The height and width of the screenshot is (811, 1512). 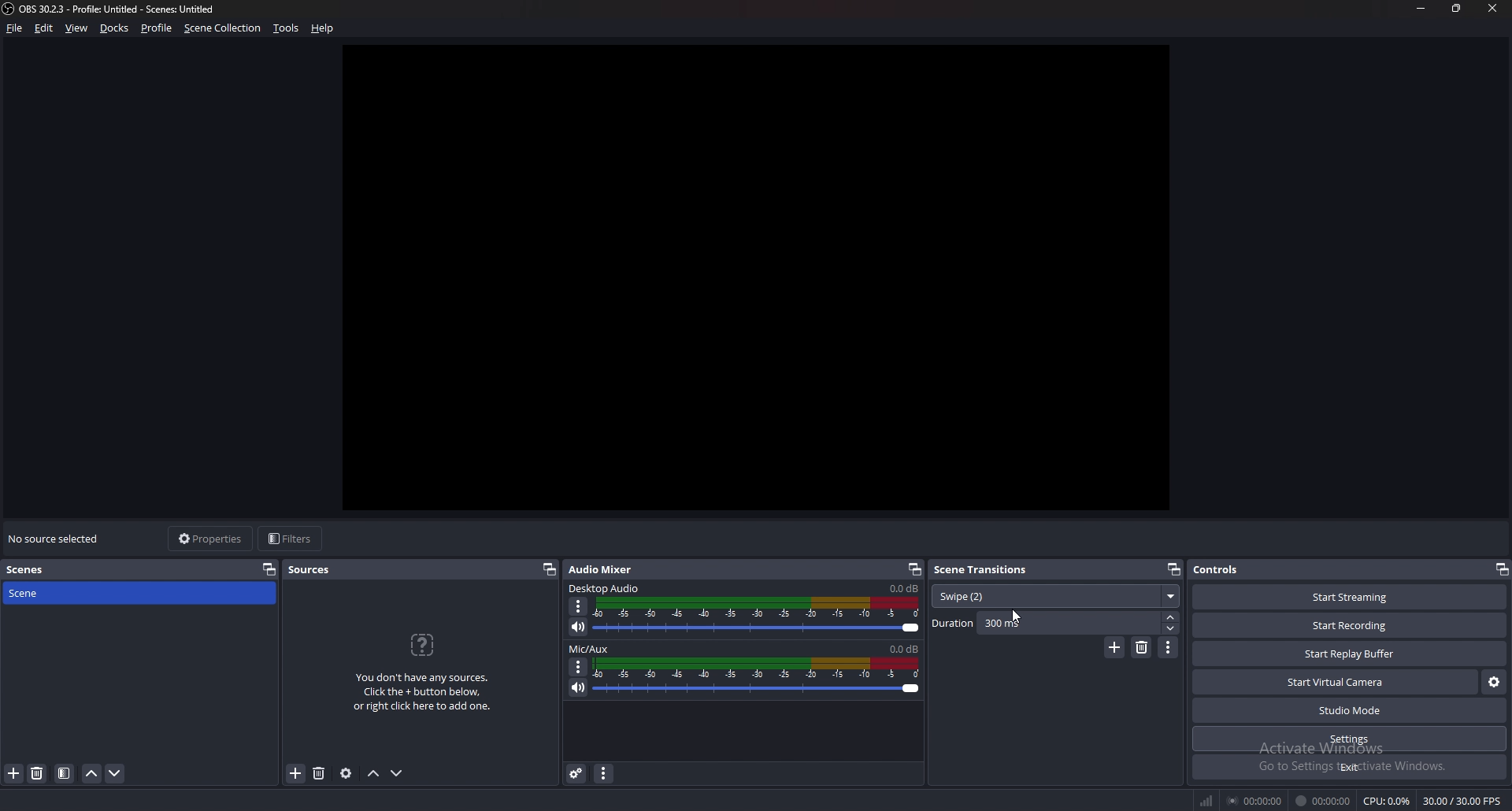 I want to click on decrease duration, so click(x=1173, y=628).